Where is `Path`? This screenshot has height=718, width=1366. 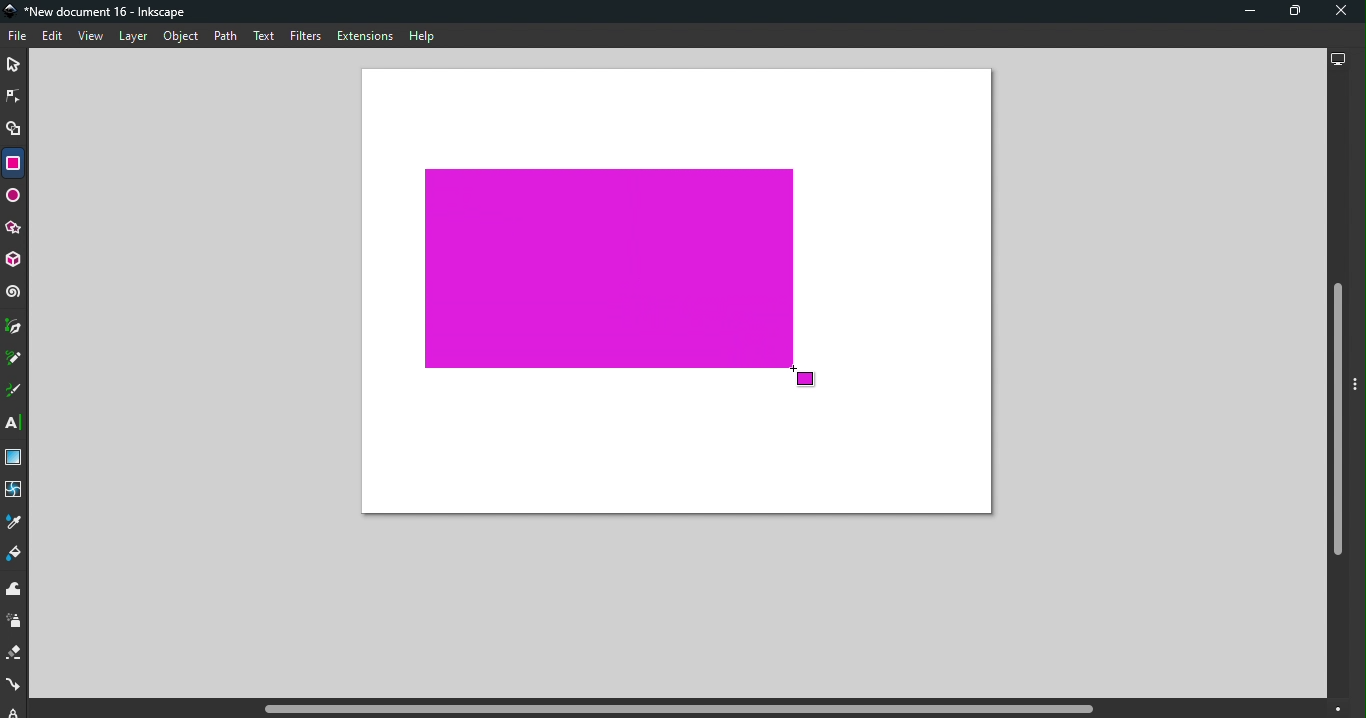 Path is located at coordinates (225, 38).